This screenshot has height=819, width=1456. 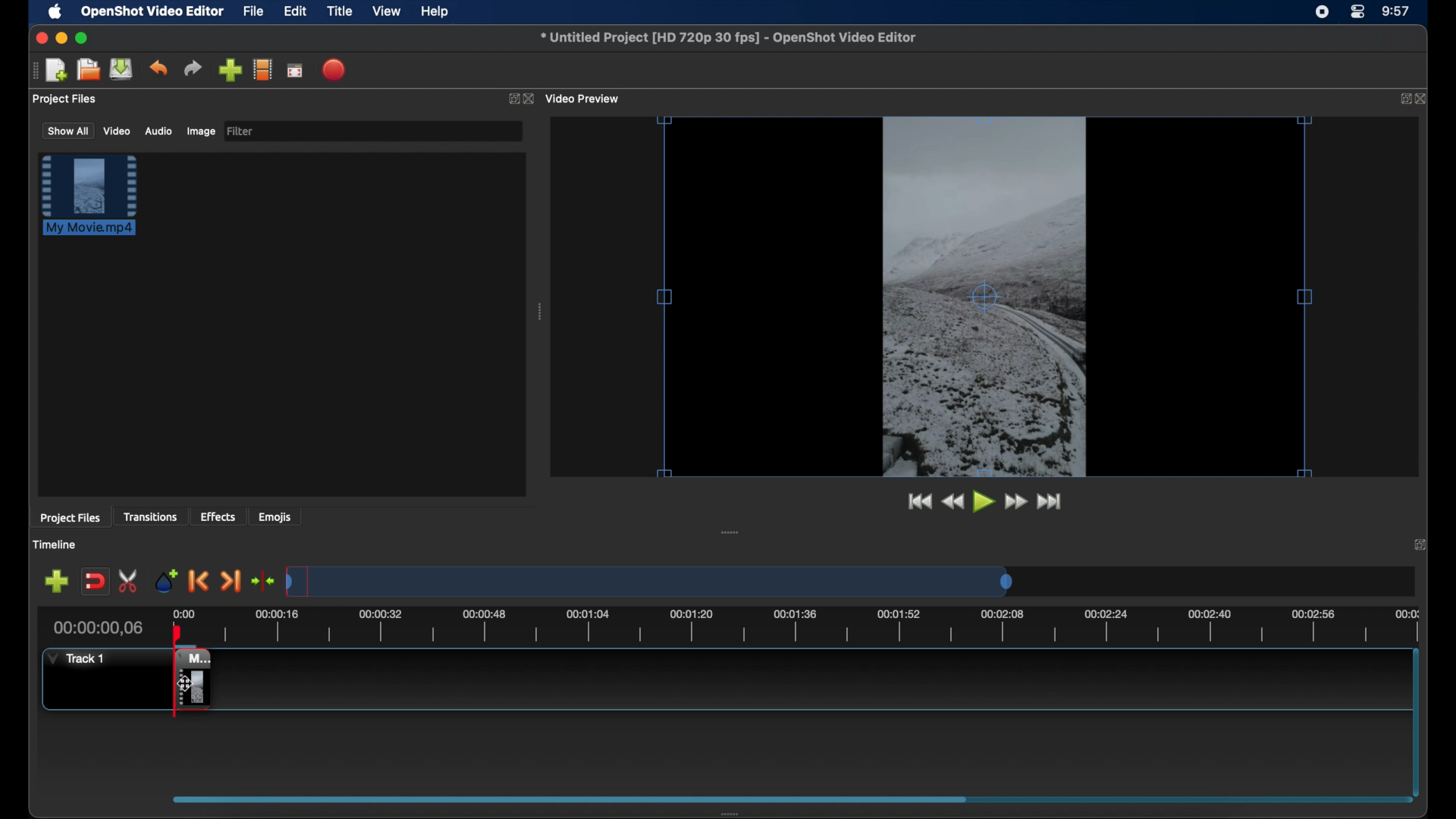 What do you see at coordinates (254, 12) in the screenshot?
I see `file` at bounding box center [254, 12].